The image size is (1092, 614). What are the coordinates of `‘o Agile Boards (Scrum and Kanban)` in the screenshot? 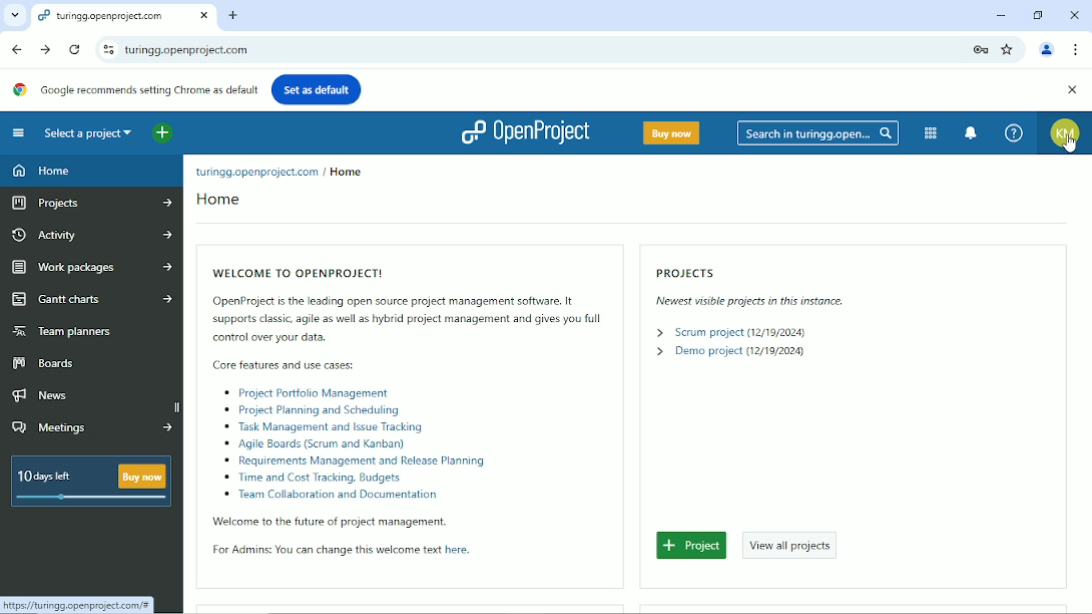 It's located at (315, 443).